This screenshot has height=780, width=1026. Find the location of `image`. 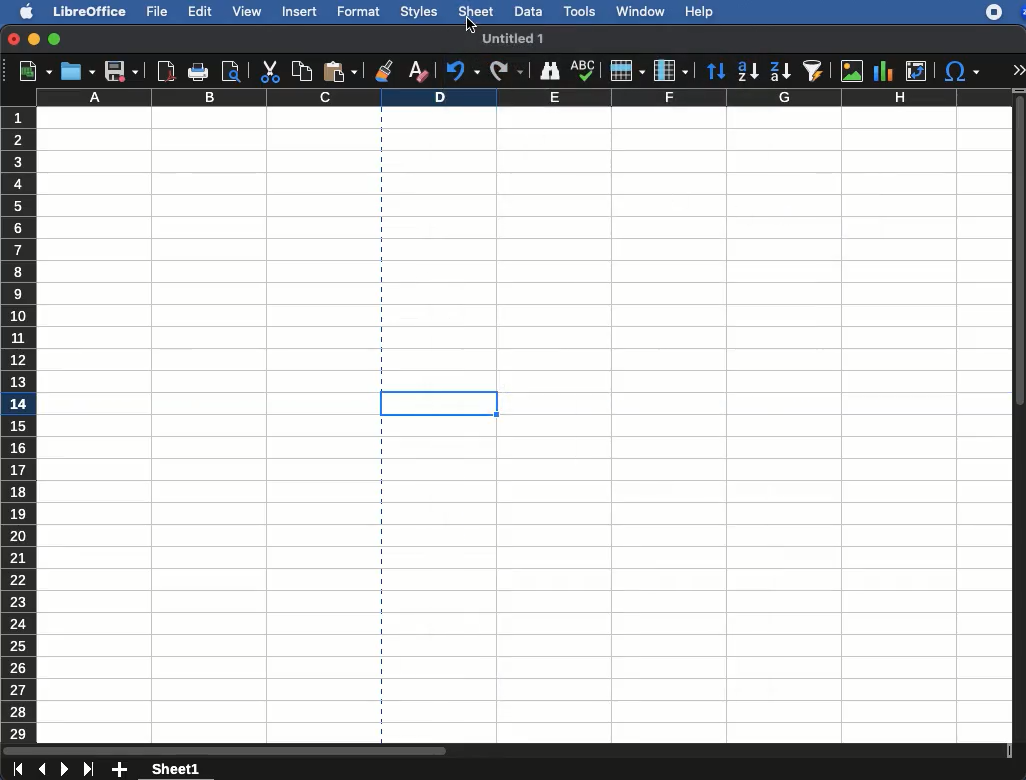

image is located at coordinates (852, 72).